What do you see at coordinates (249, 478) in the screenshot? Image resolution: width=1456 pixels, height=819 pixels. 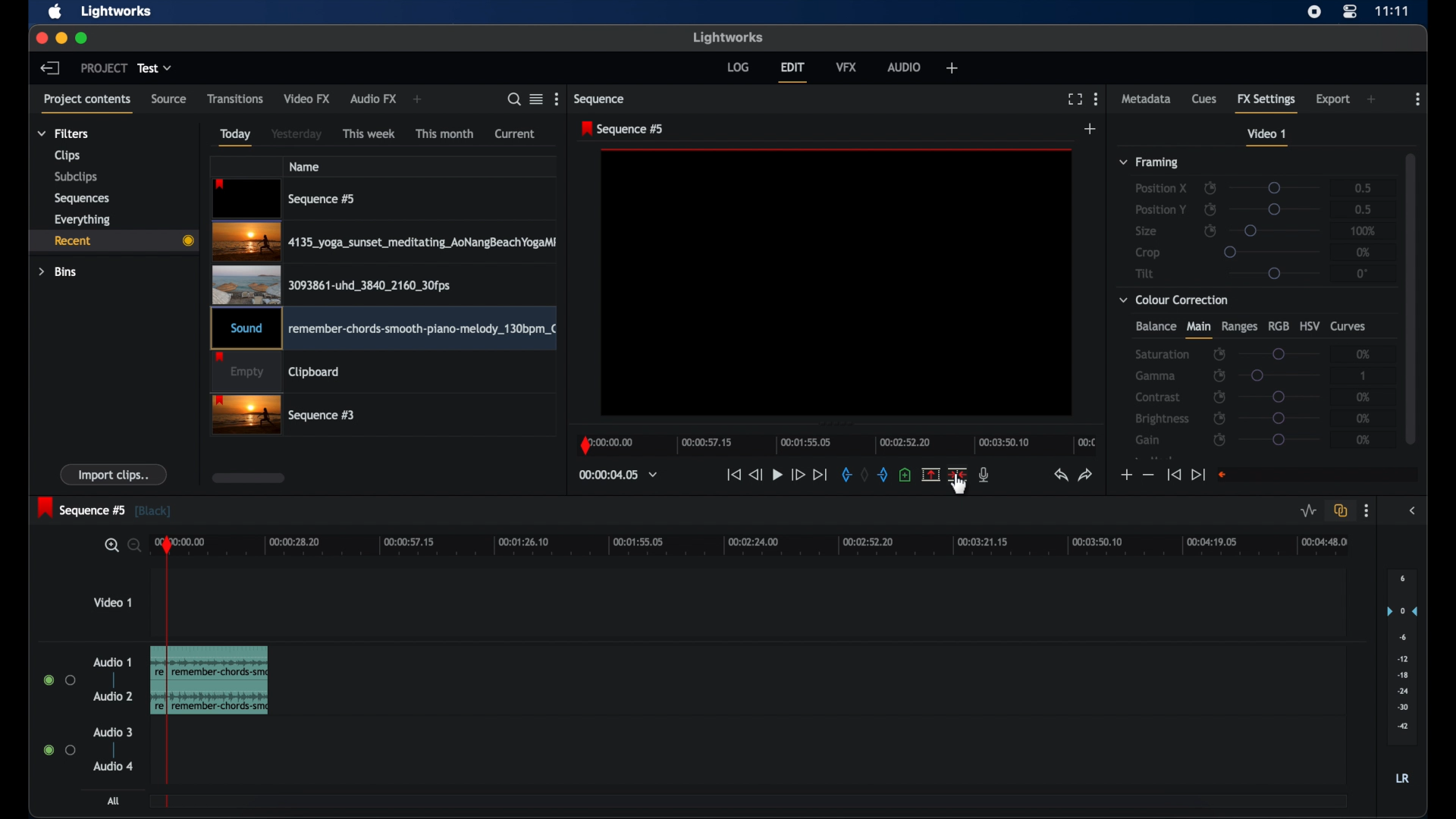 I see `scroll box` at bounding box center [249, 478].